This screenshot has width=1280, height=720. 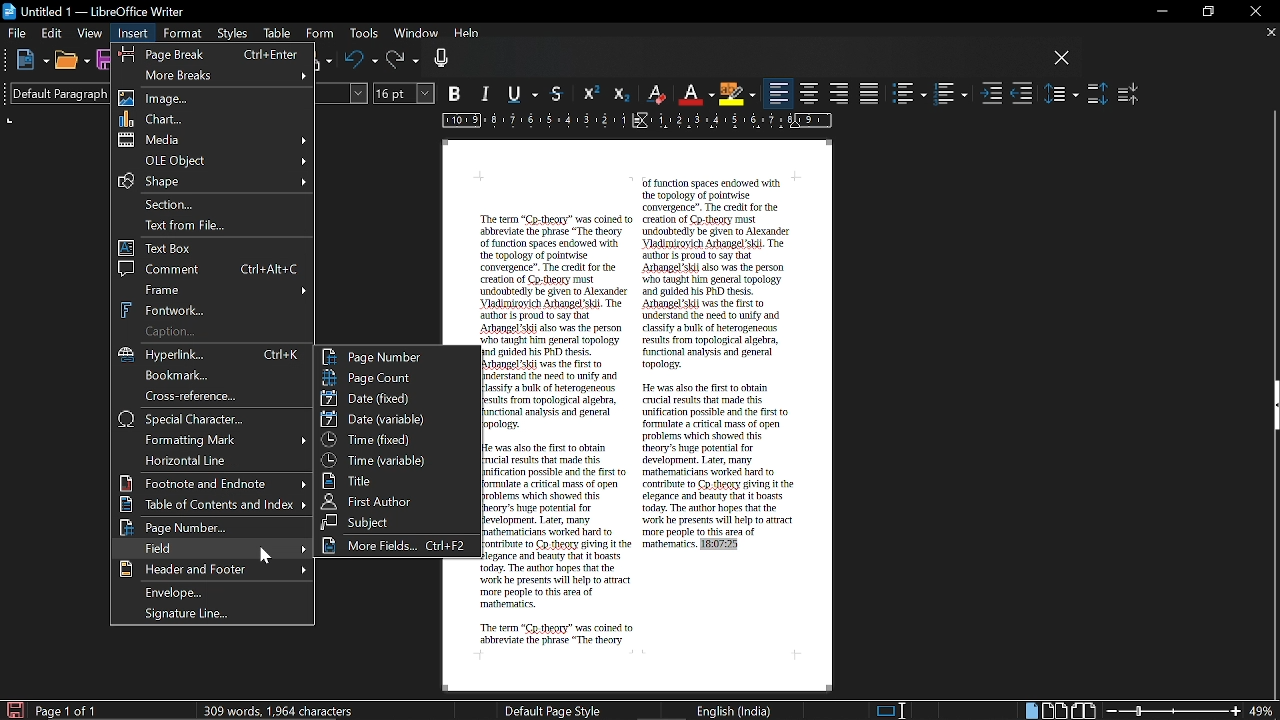 I want to click on The first author , so click(x=397, y=501).